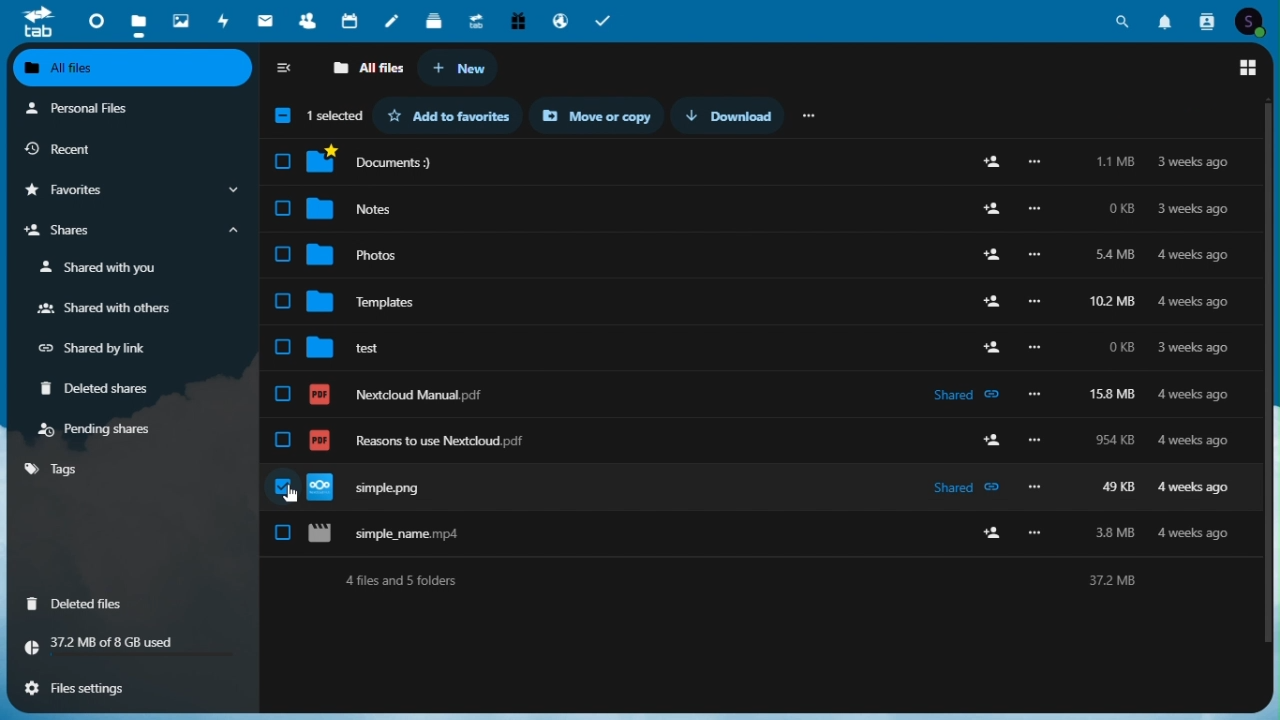 The width and height of the screenshot is (1280, 720). I want to click on simple_name.mp43.8MB 4 weeks ago, so click(762, 534).